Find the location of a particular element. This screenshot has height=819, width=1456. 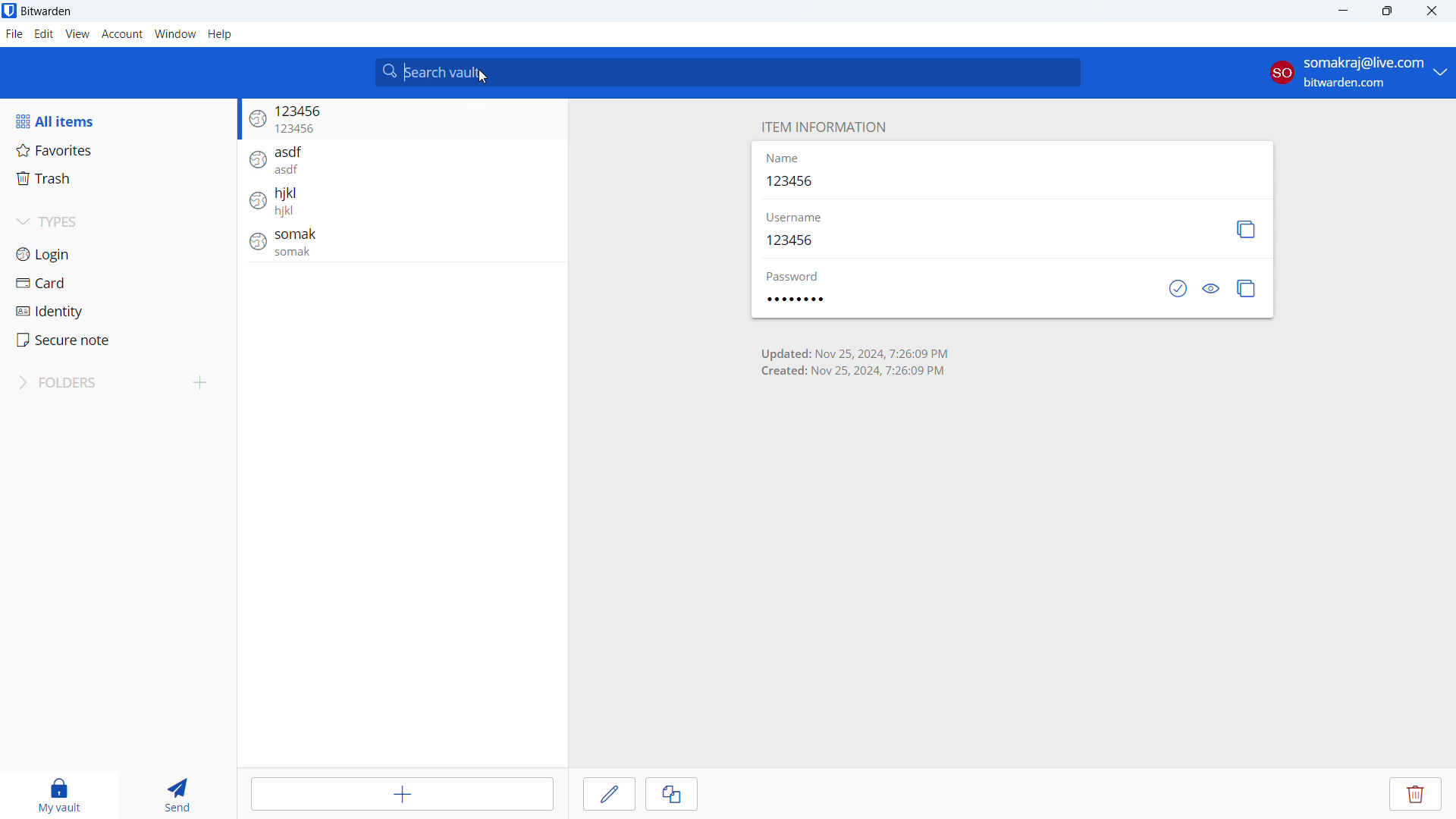

add folder is located at coordinates (202, 383).